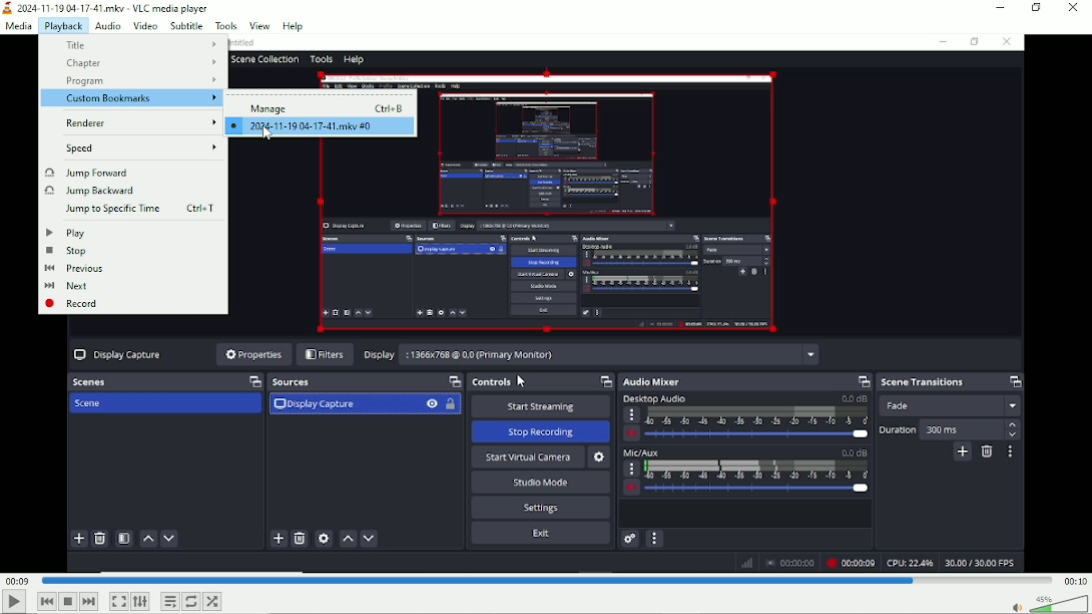  What do you see at coordinates (144, 62) in the screenshot?
I see `Chapter` at bounding box center [144, 62].